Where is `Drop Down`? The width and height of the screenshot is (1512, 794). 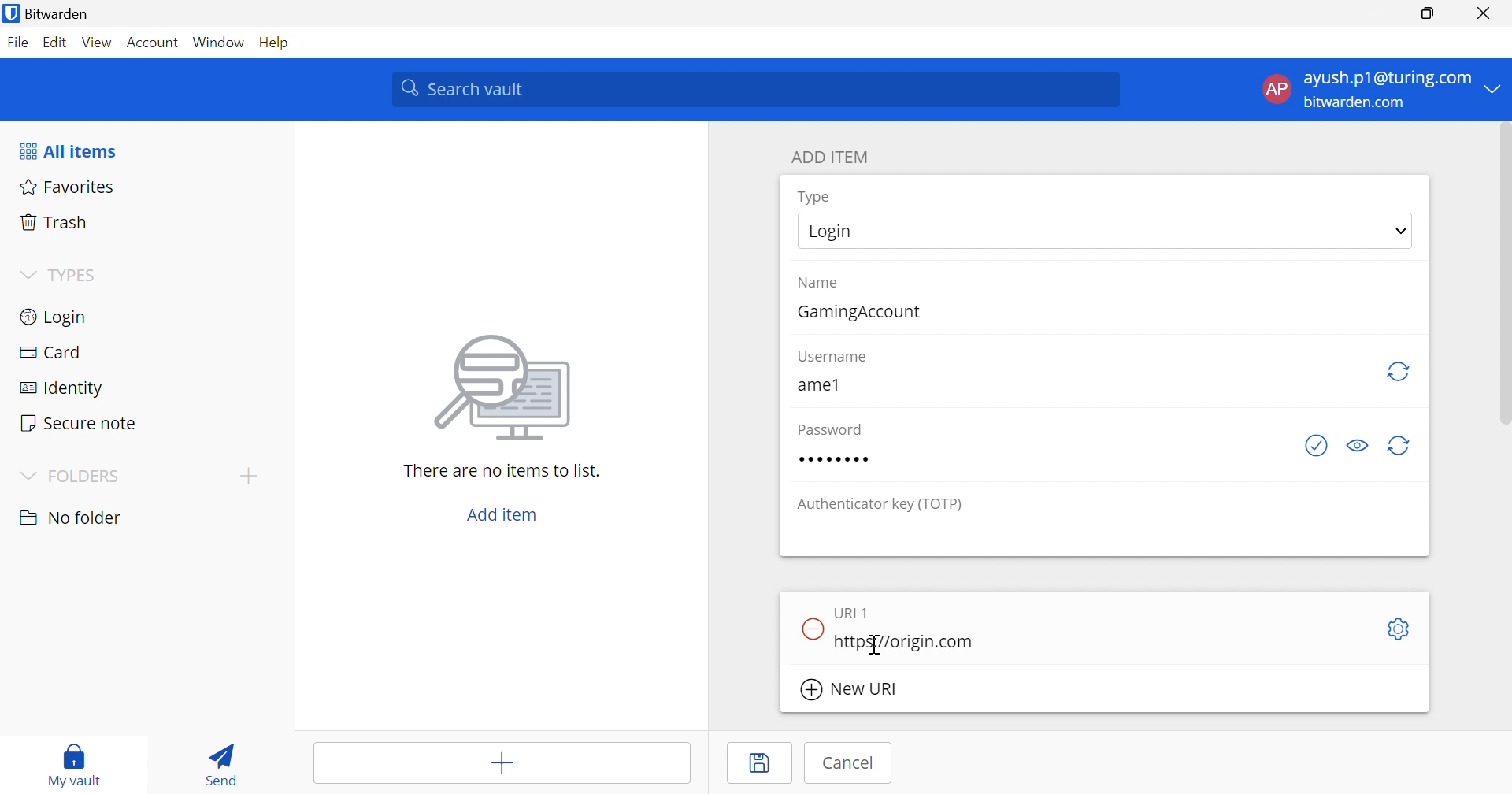
Drop Down is located at coordinates (1497, 87).